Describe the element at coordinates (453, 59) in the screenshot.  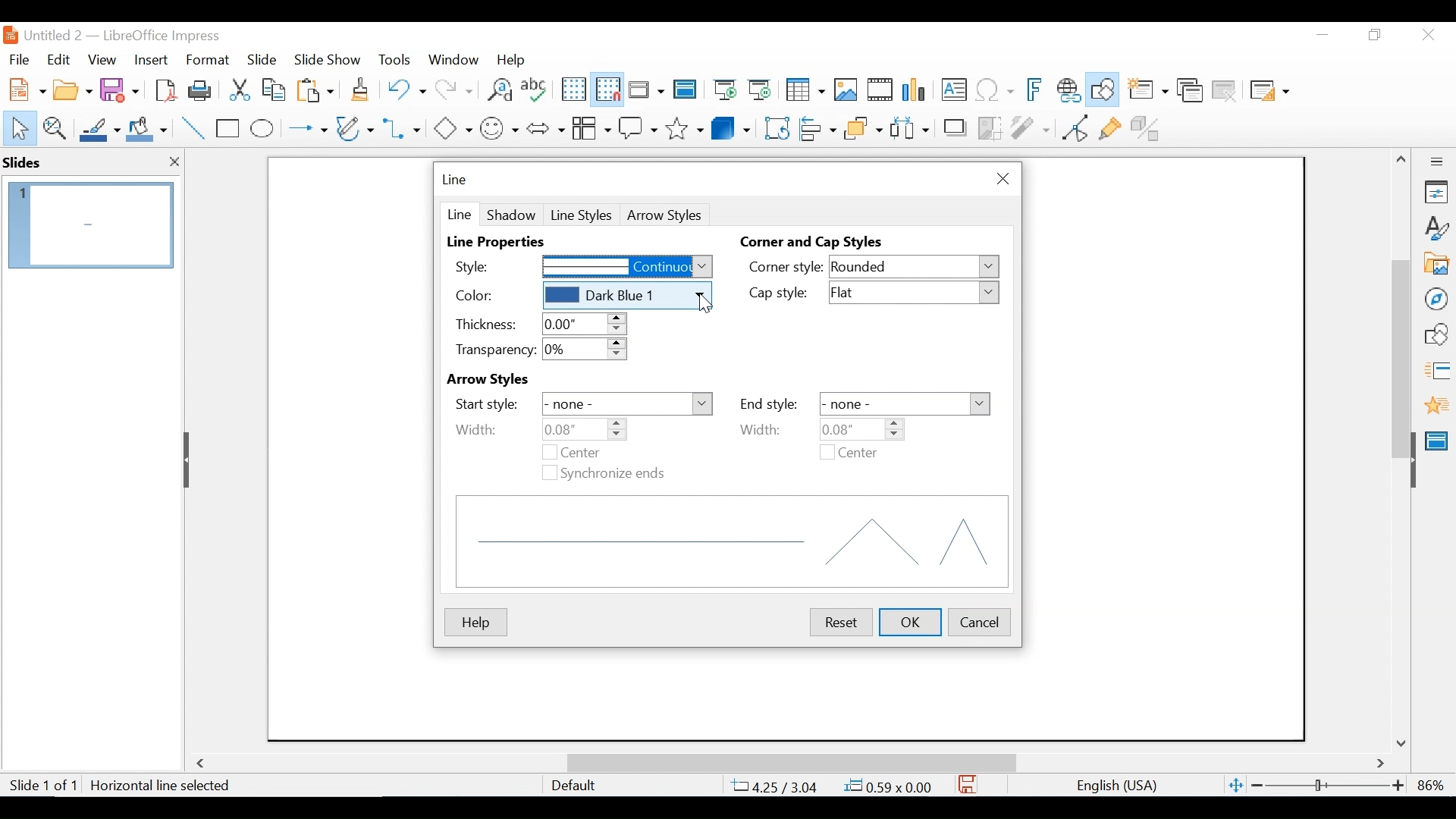
I see `Window` at that location.